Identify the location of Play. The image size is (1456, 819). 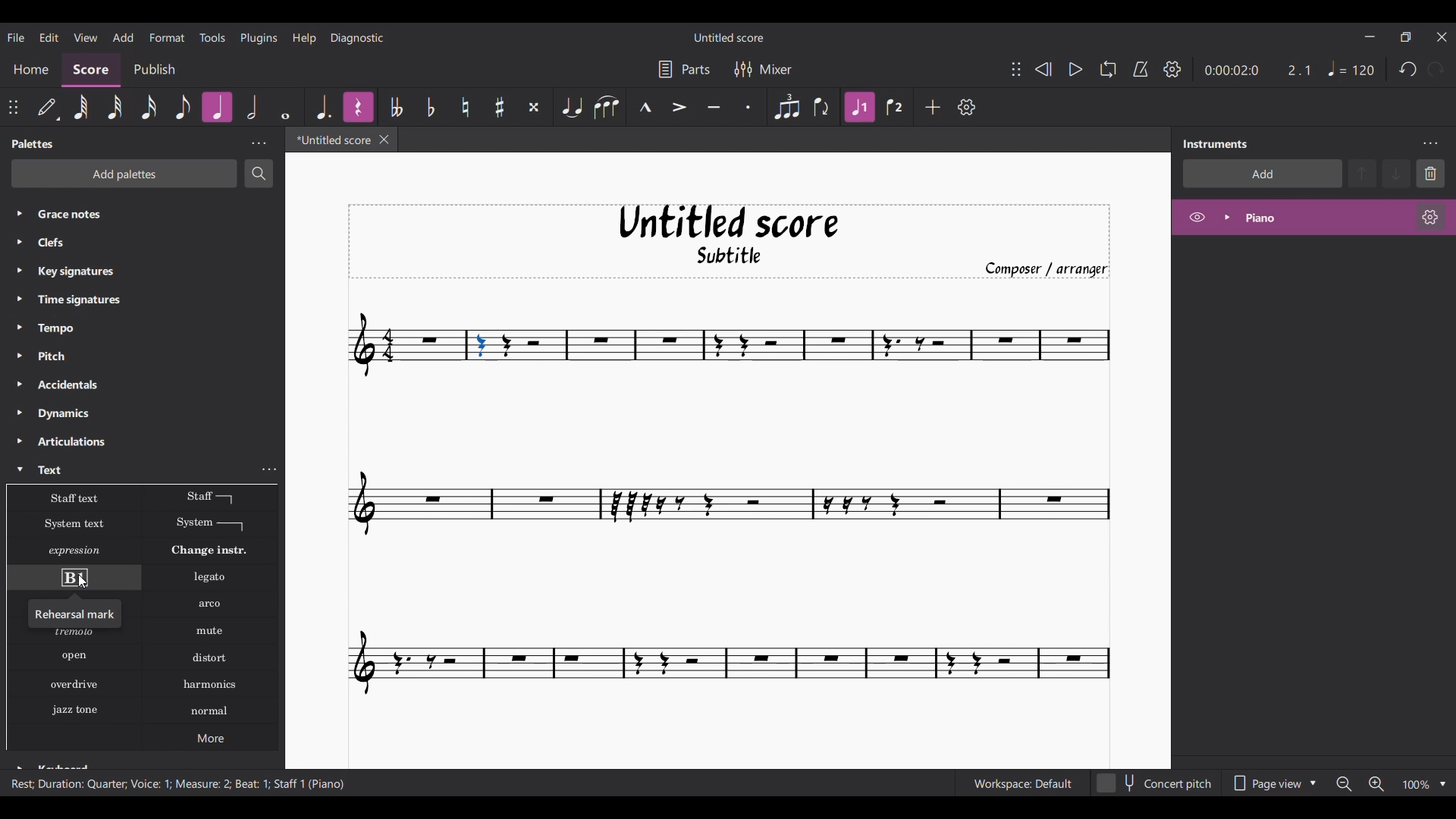
(1075, 69).